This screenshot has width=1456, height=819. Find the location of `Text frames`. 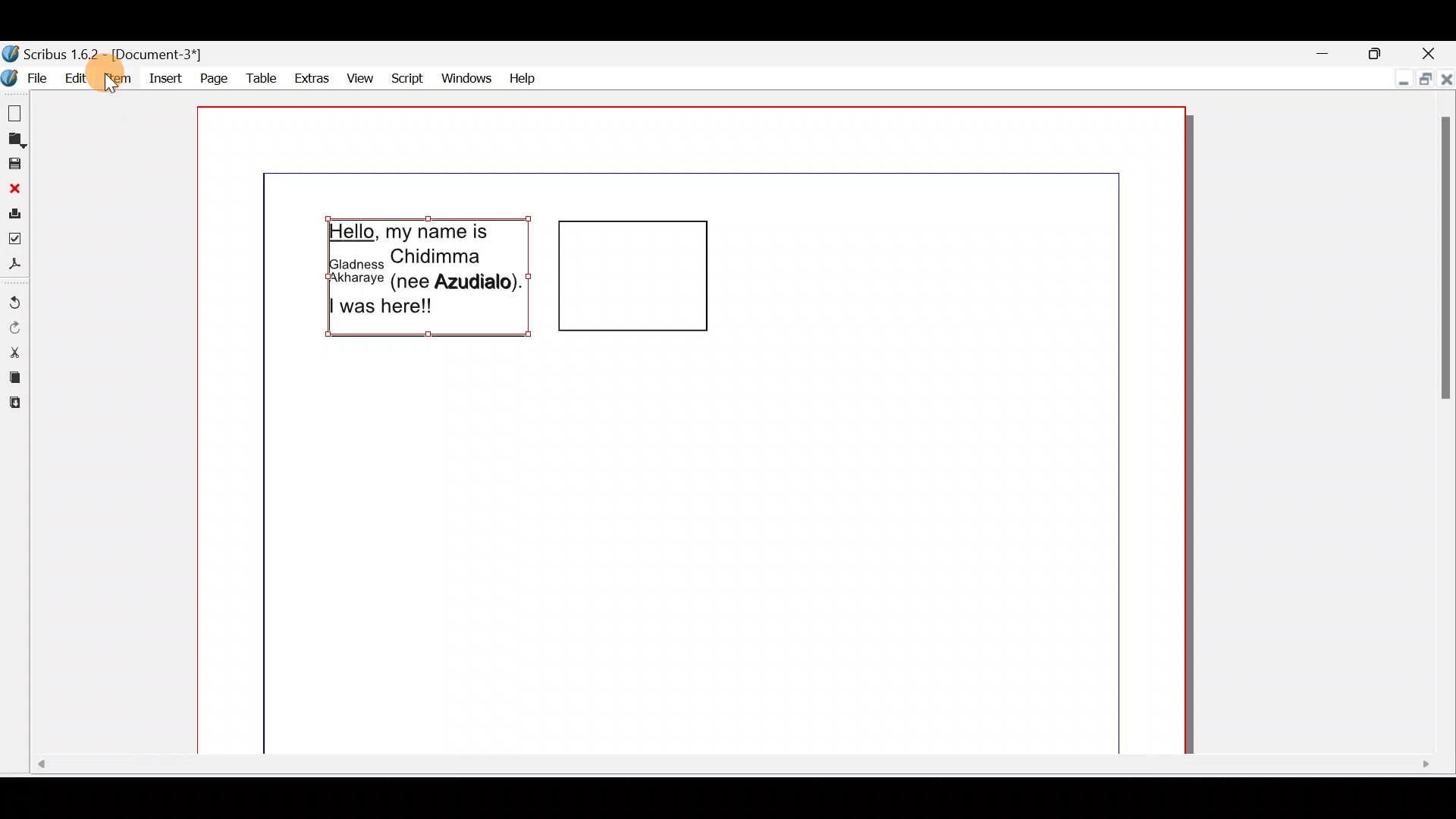

Text frames is located at coordinates (529, 283).